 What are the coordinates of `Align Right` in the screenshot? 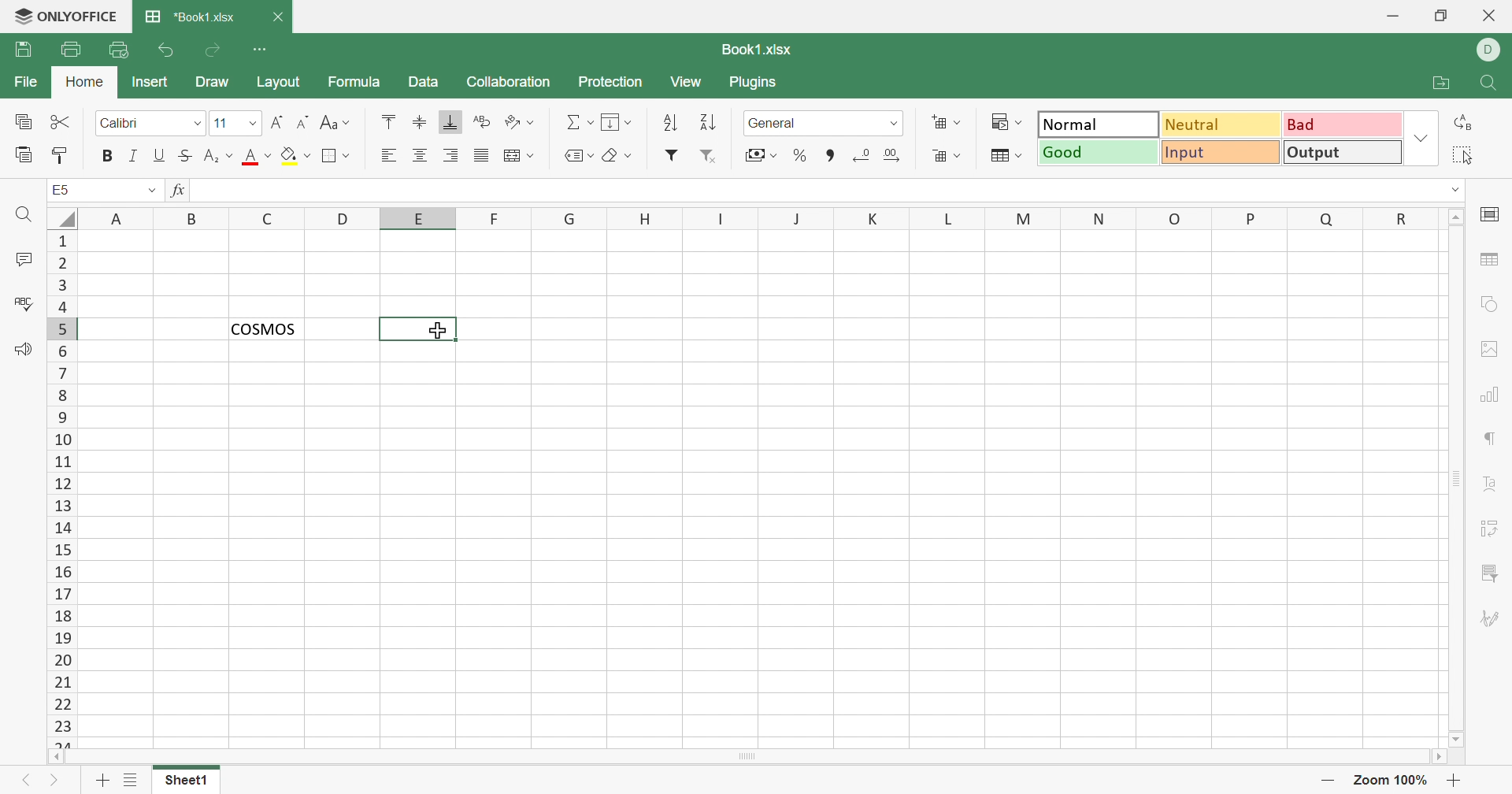 It's located at (451, 158).